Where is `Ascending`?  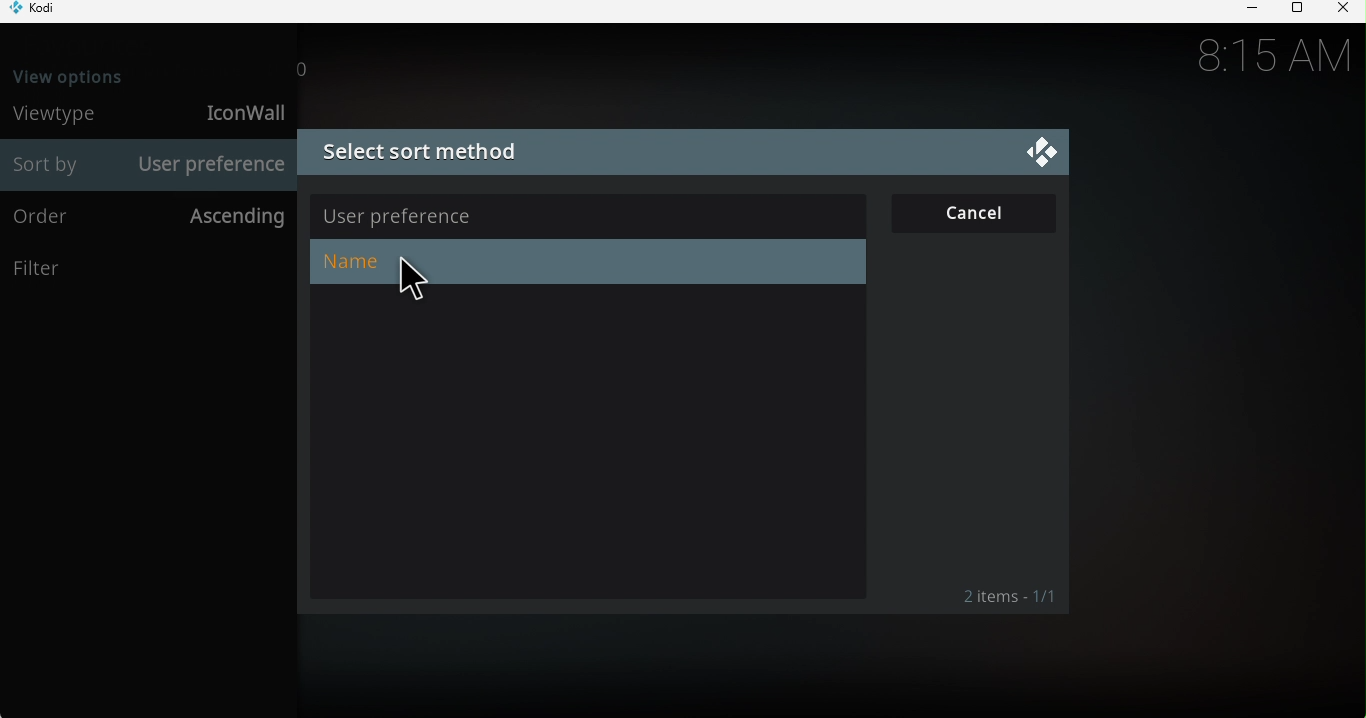
Ascending is located at coordinates (231, 217).